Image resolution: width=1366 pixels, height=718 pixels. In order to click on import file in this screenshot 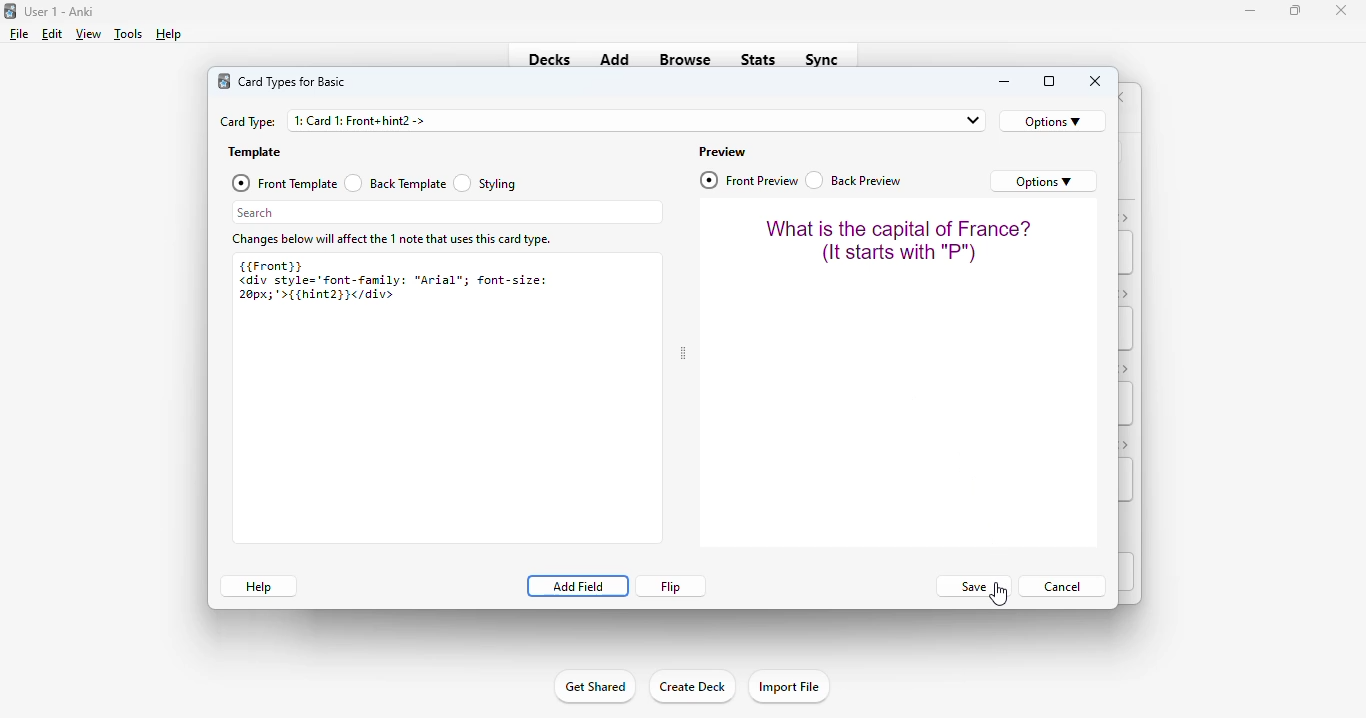, I will do `click(788, 687)`.